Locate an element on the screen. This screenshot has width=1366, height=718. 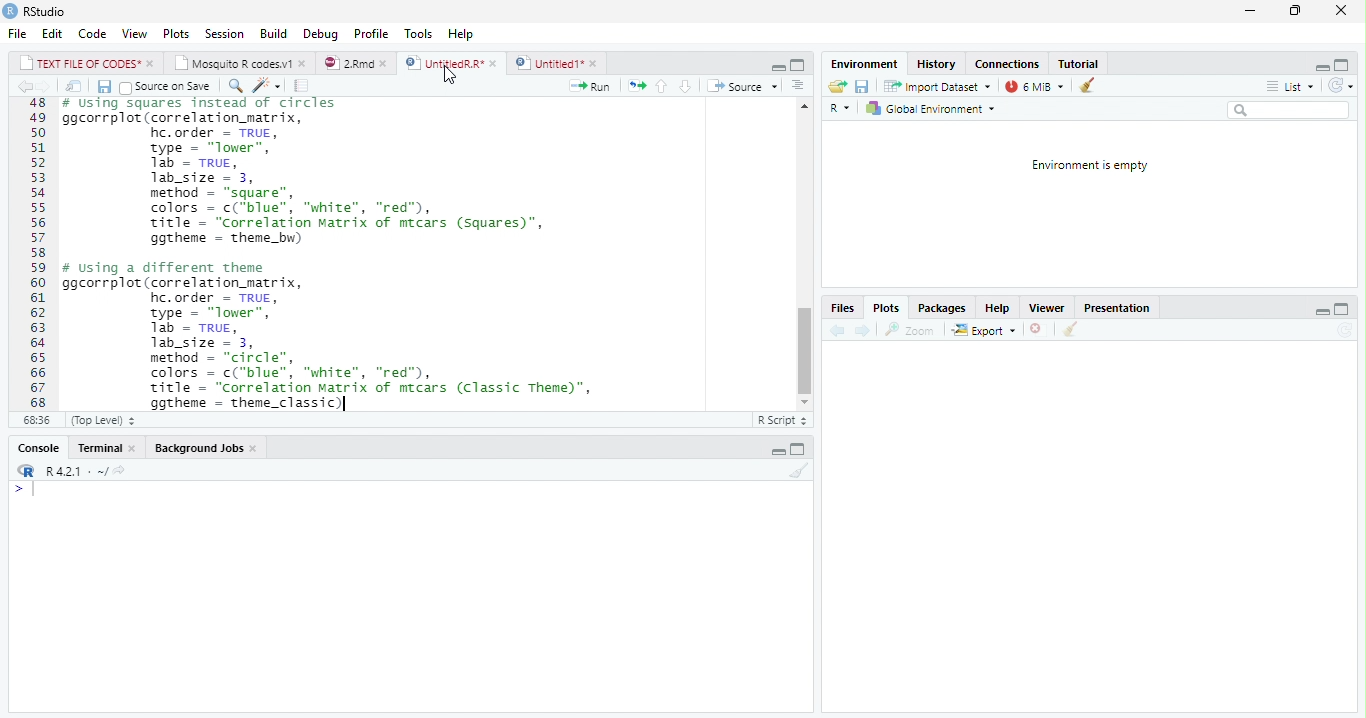
go back to the previous source location is located at coordinates (28, 88).